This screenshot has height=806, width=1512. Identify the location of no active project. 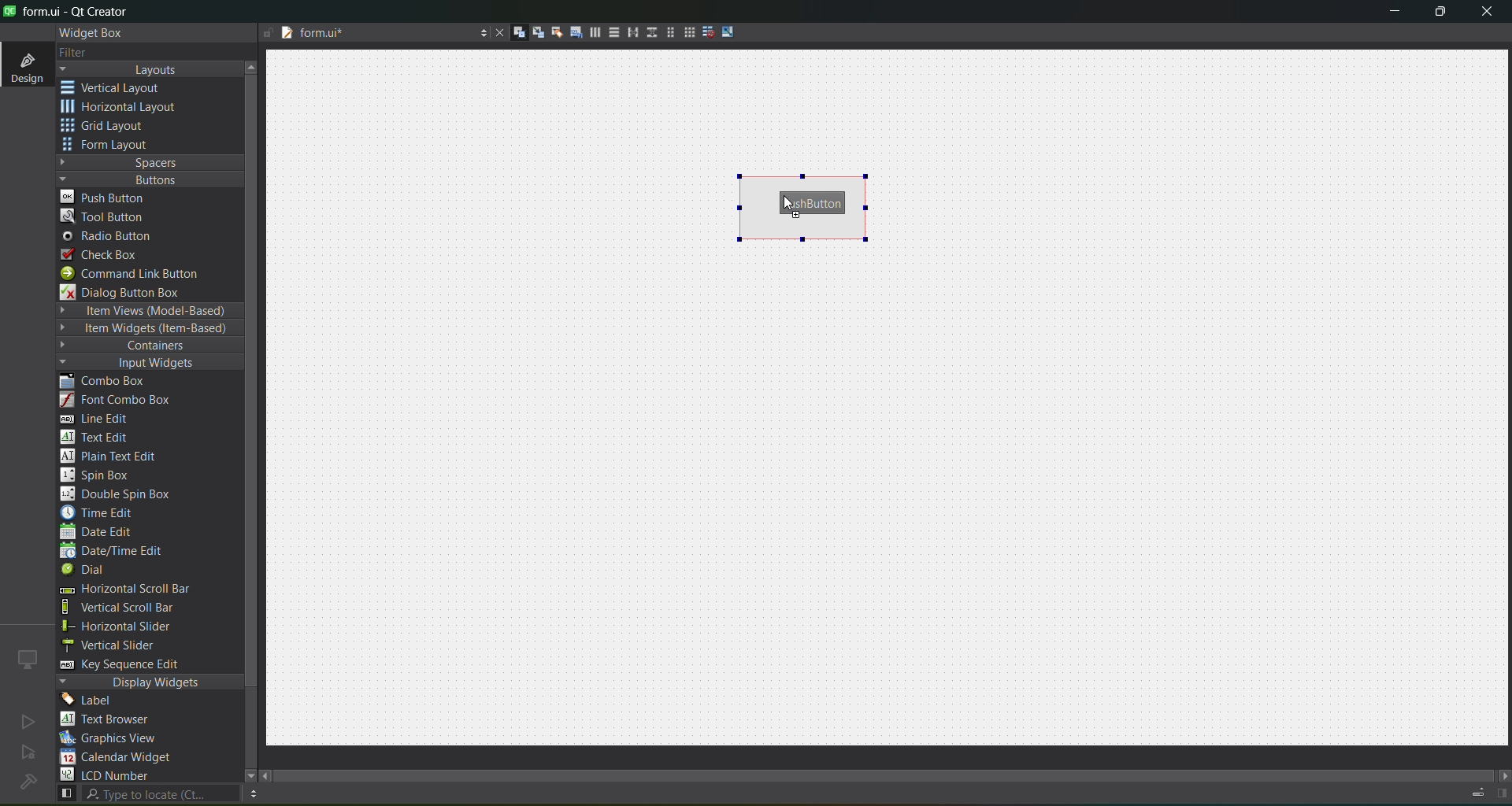
(28, 721).